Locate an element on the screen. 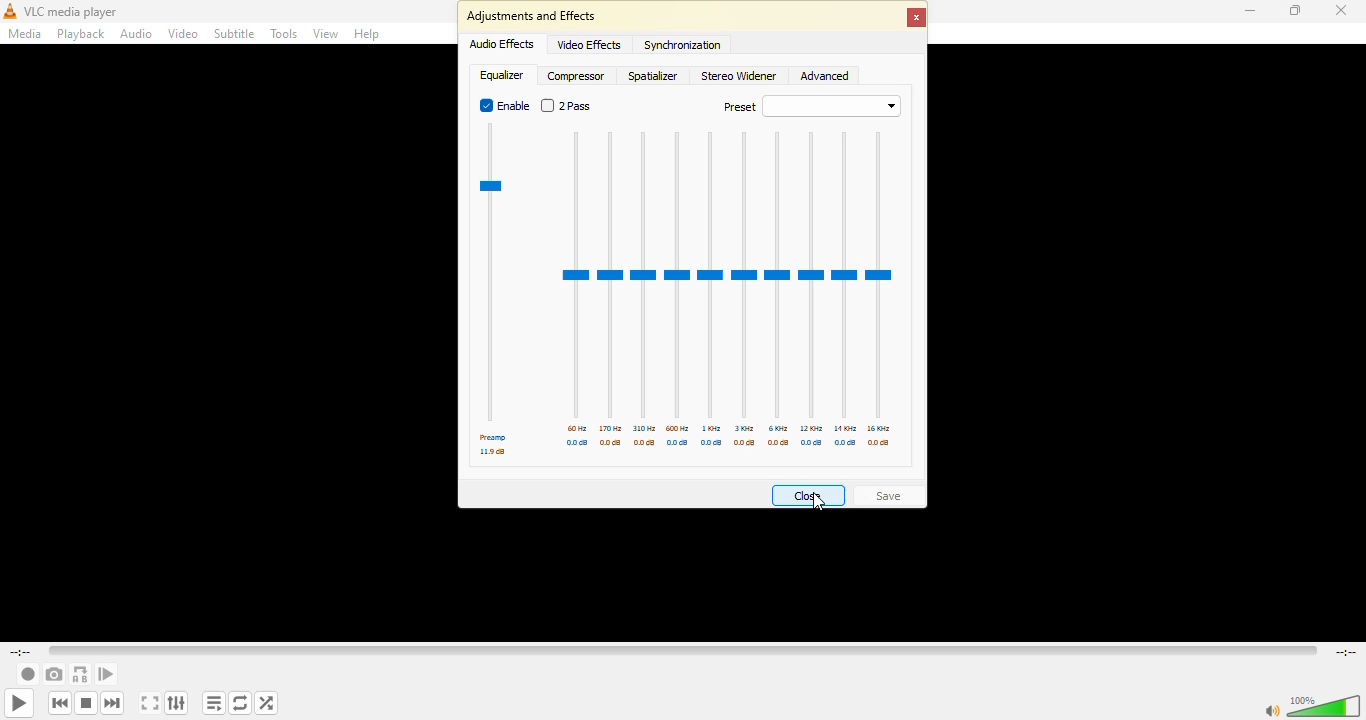 This screenshot has height=720, width=1366. db is located at coordinates (812, 443).